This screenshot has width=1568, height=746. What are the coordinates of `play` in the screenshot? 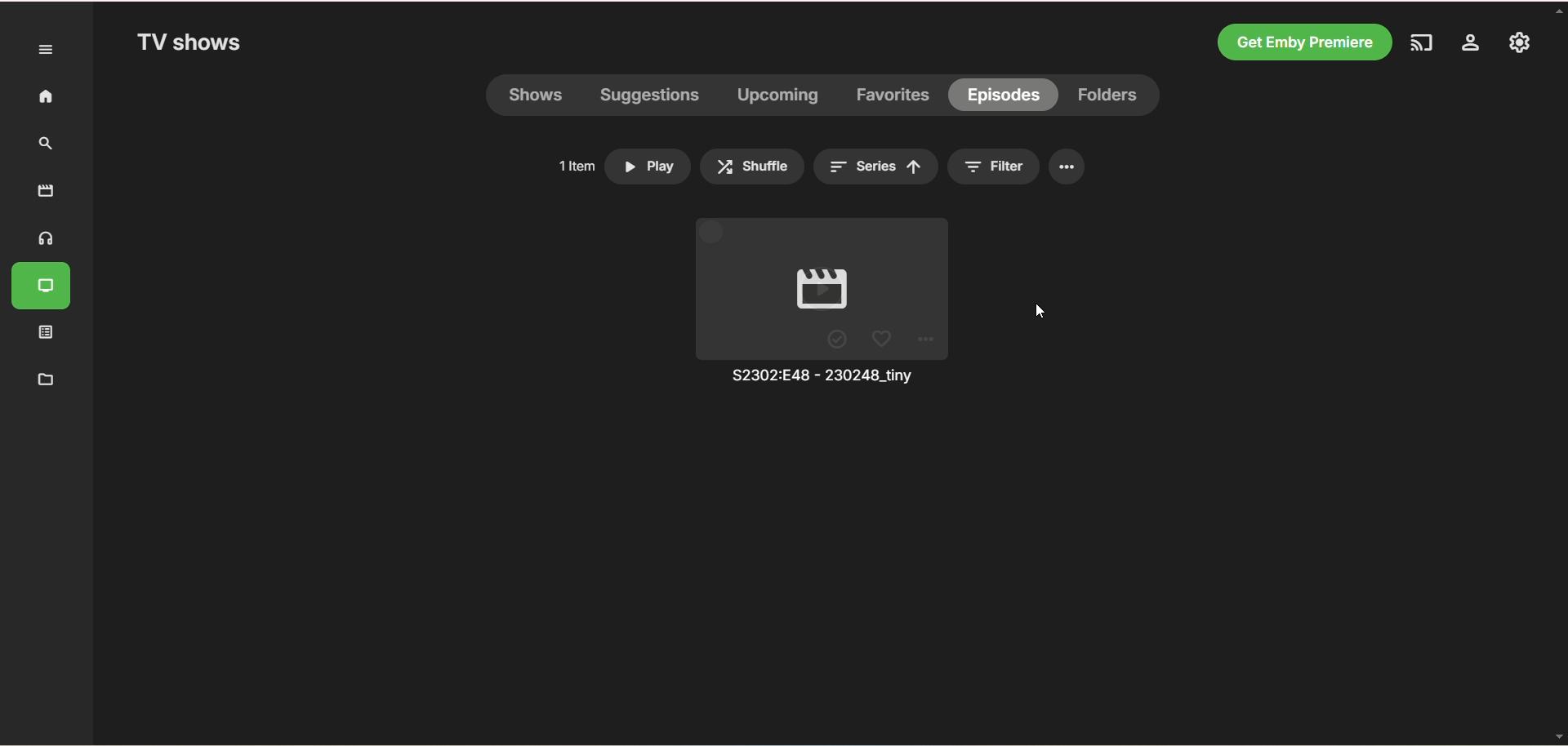 It's located at (816, 288).